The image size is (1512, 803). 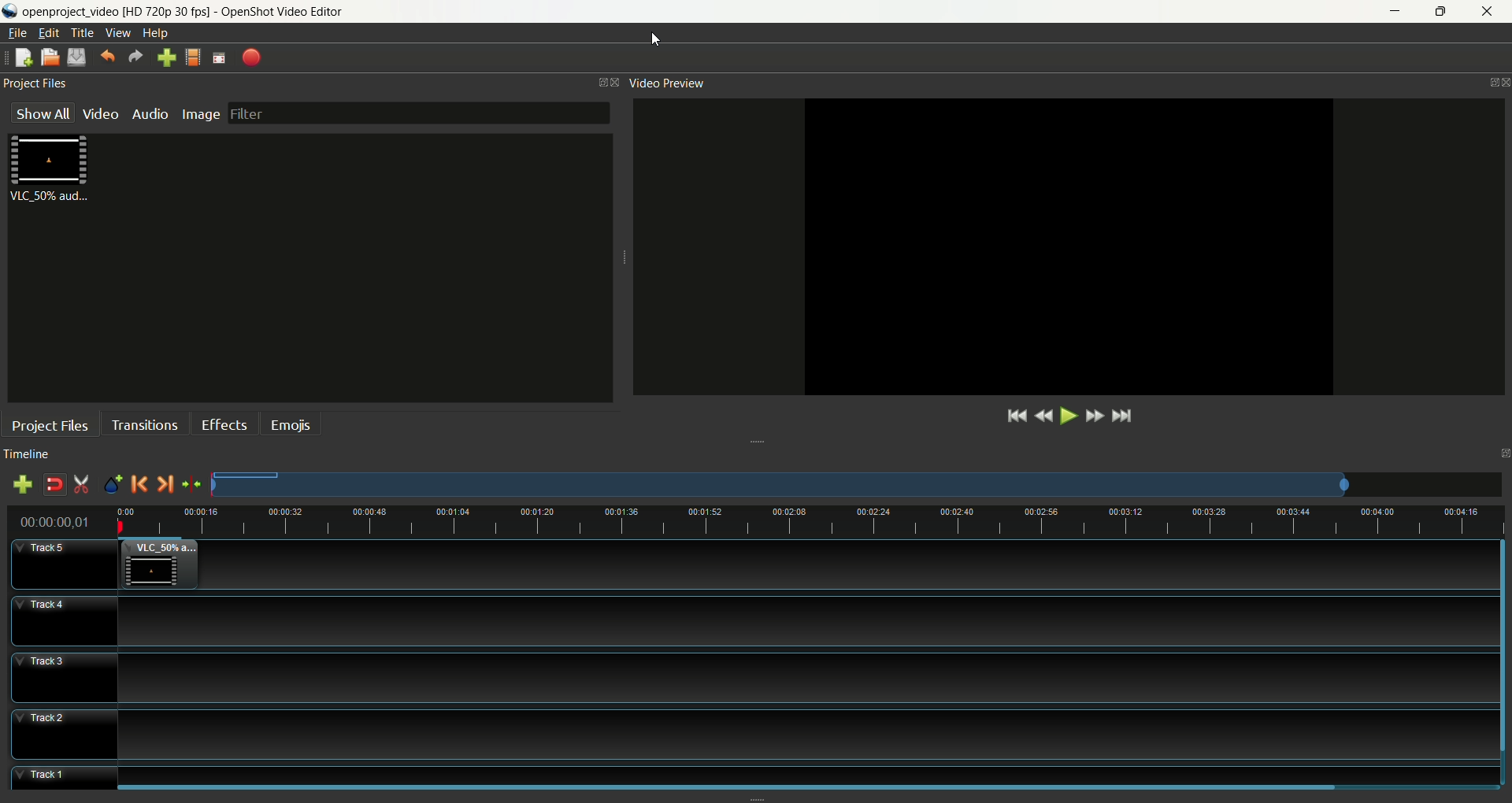 What do you see at coordinates (1503, 449) in the screenshot?
I see `maximize` at bounding box center [1503, 449].